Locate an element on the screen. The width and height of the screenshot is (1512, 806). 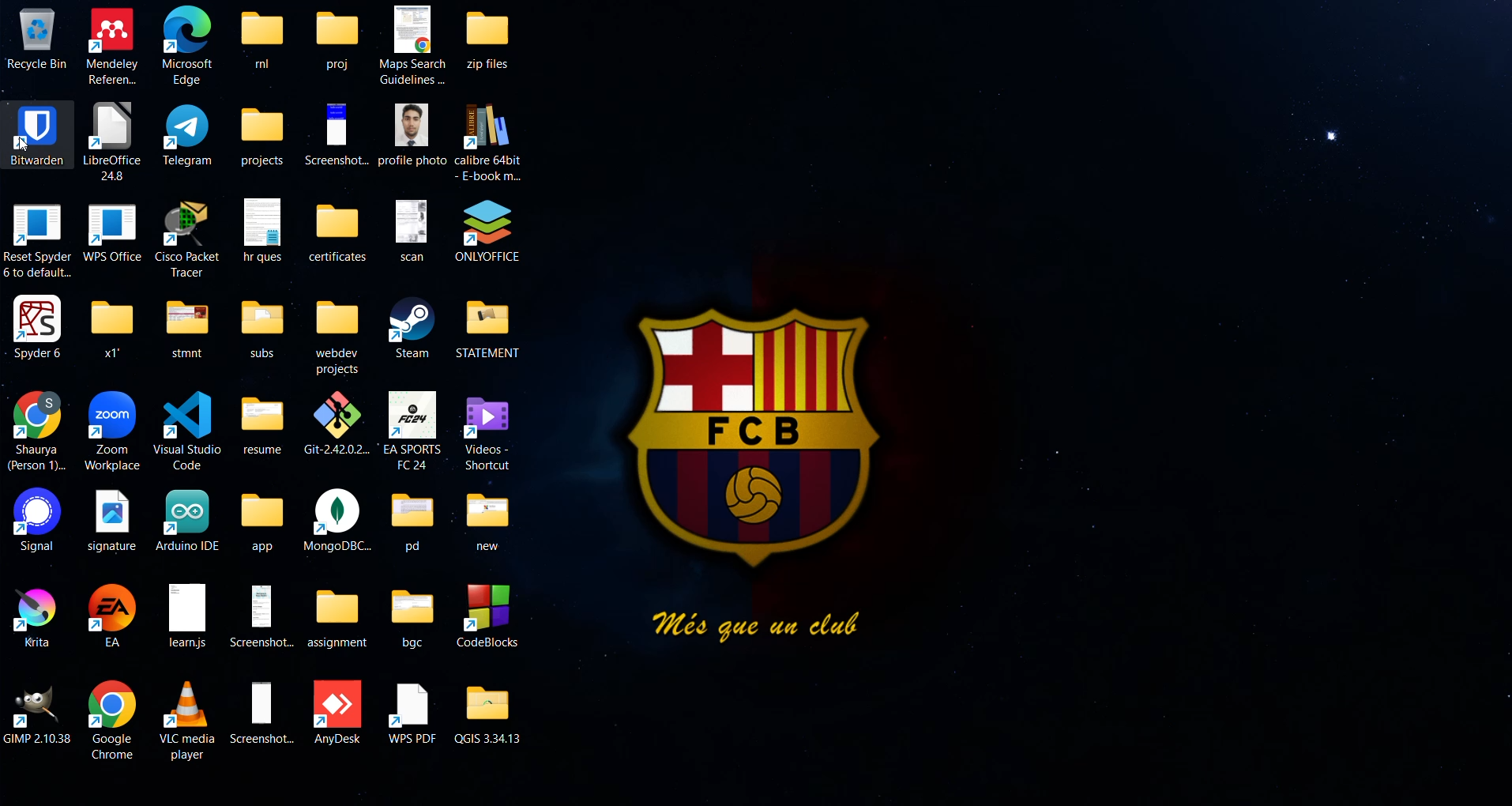
resume is located at coordinates (264, 421).